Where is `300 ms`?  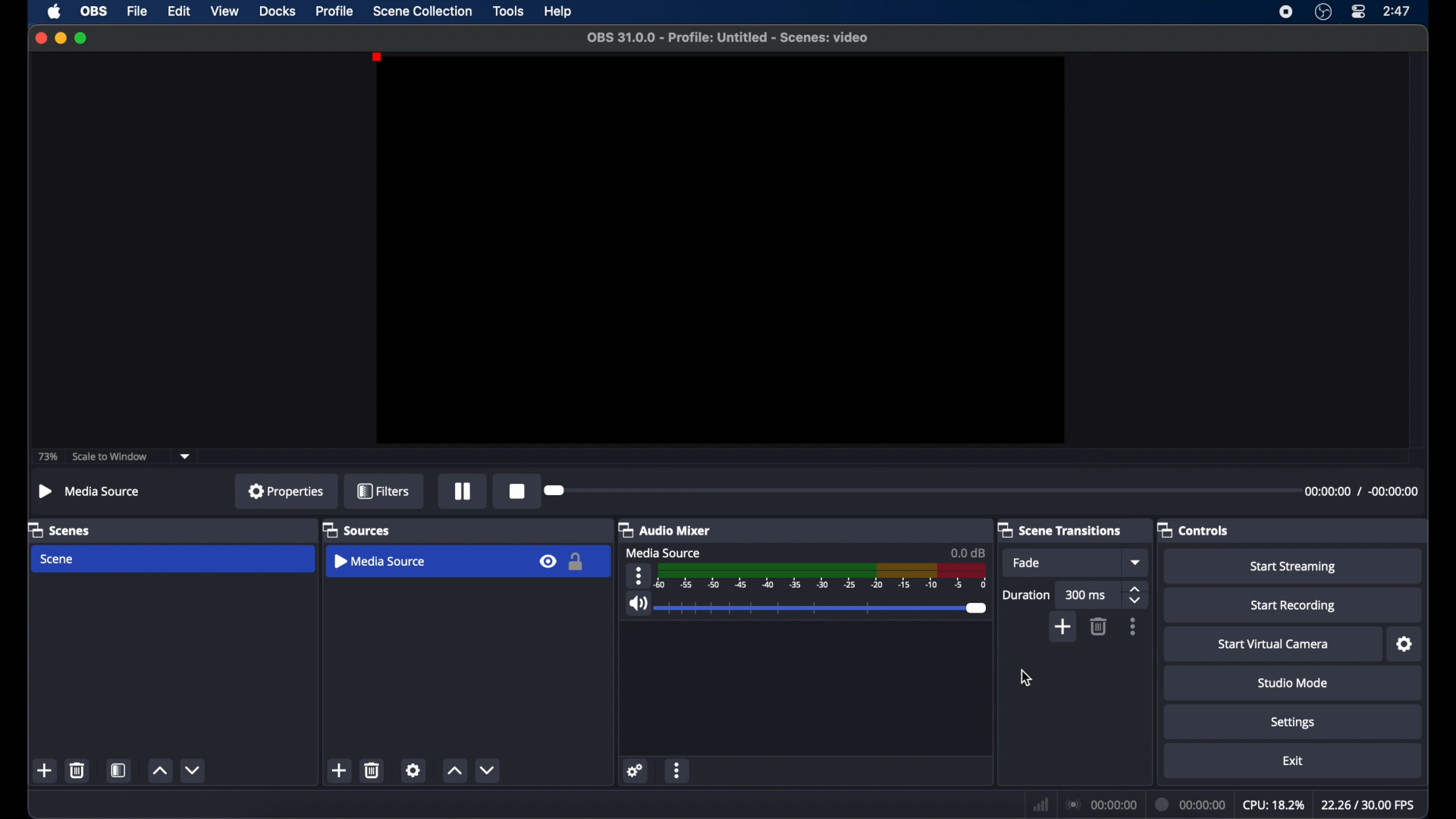
300 ms is located at coordinates (1087, 595).